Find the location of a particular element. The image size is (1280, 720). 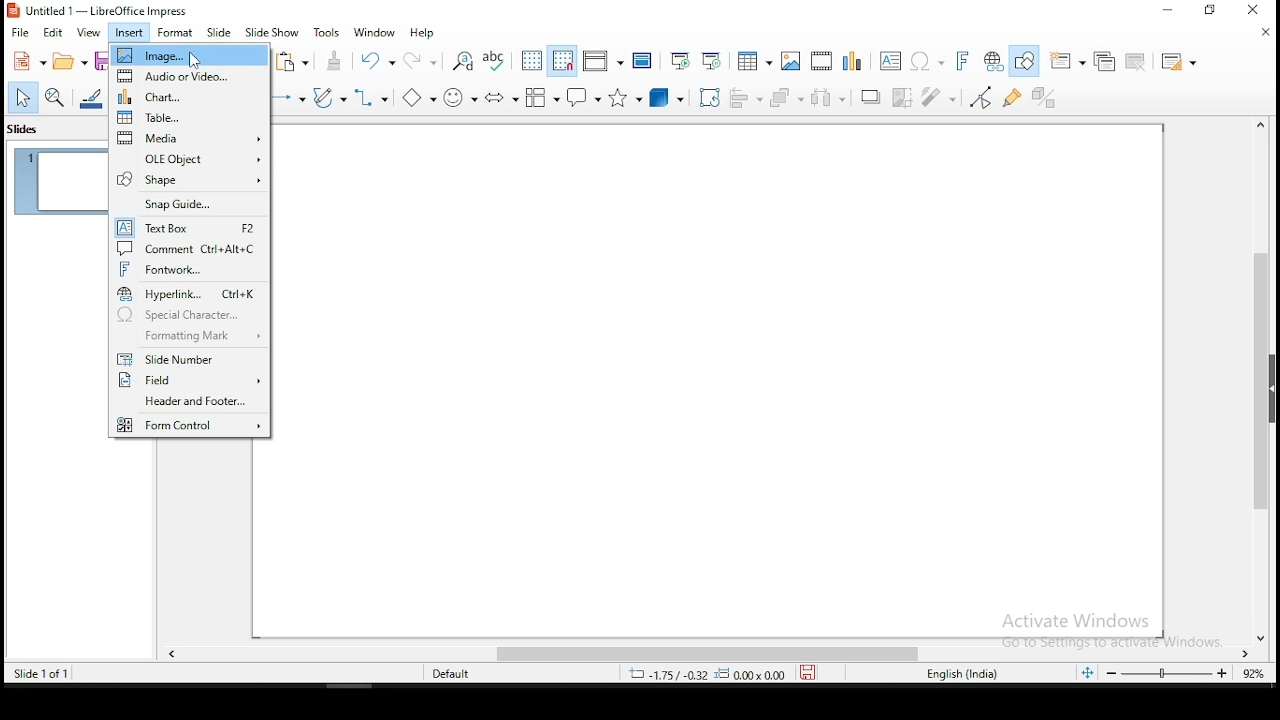

slide layout is located at coordinates (1183, 63).